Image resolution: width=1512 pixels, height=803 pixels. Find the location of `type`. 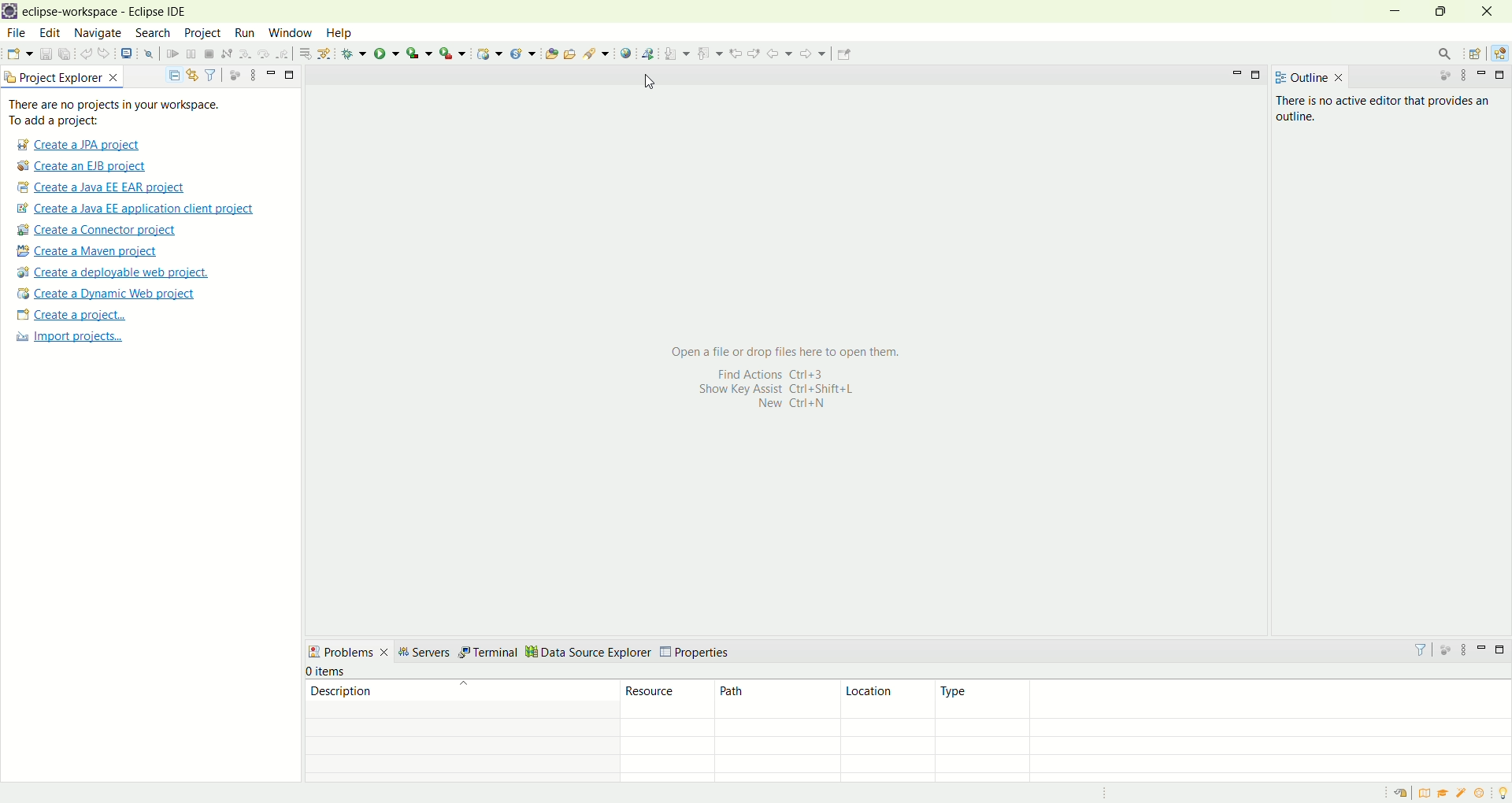

type is located at coordinates (1222, 700).